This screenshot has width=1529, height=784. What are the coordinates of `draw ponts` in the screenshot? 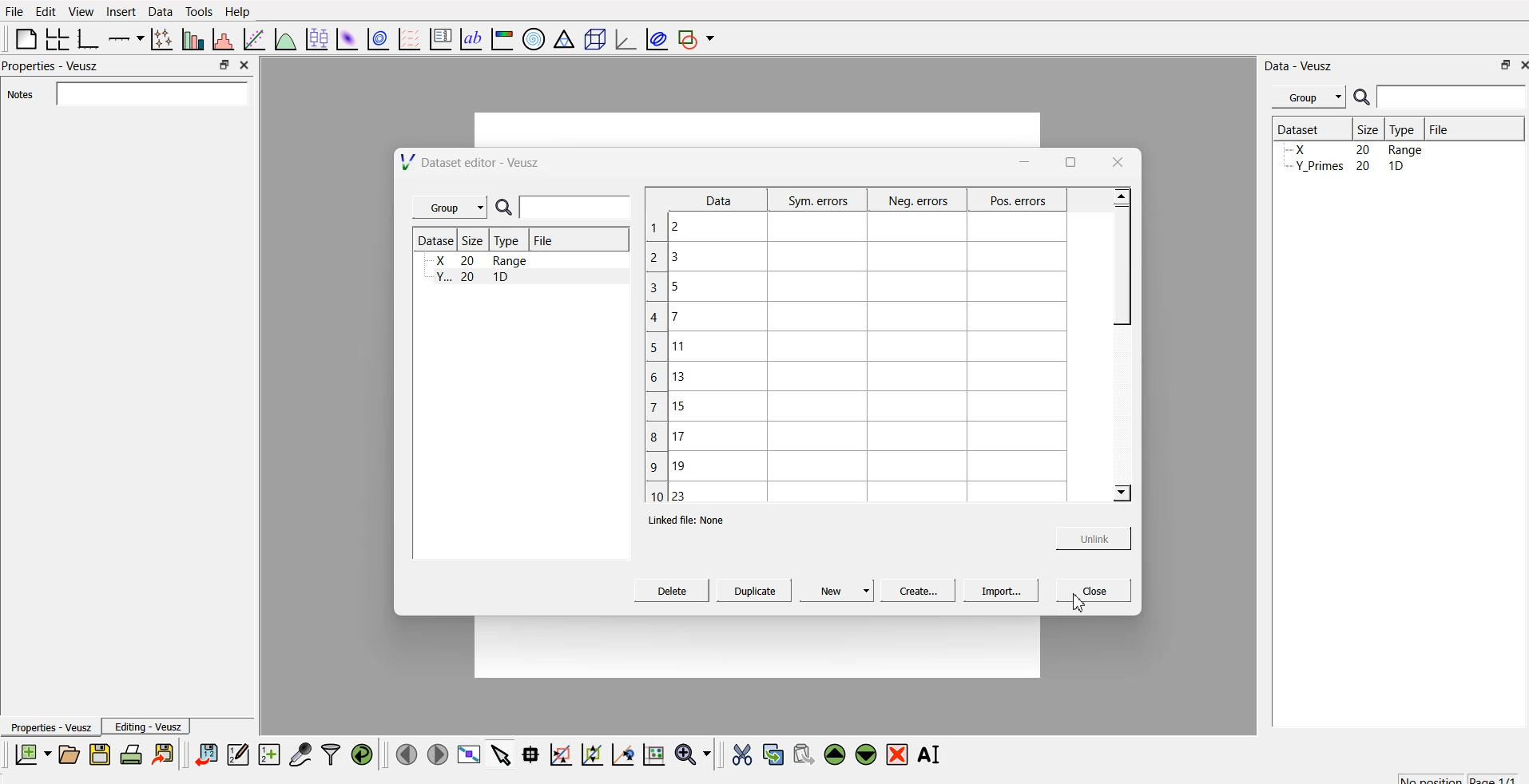 It's located at (591, 754).